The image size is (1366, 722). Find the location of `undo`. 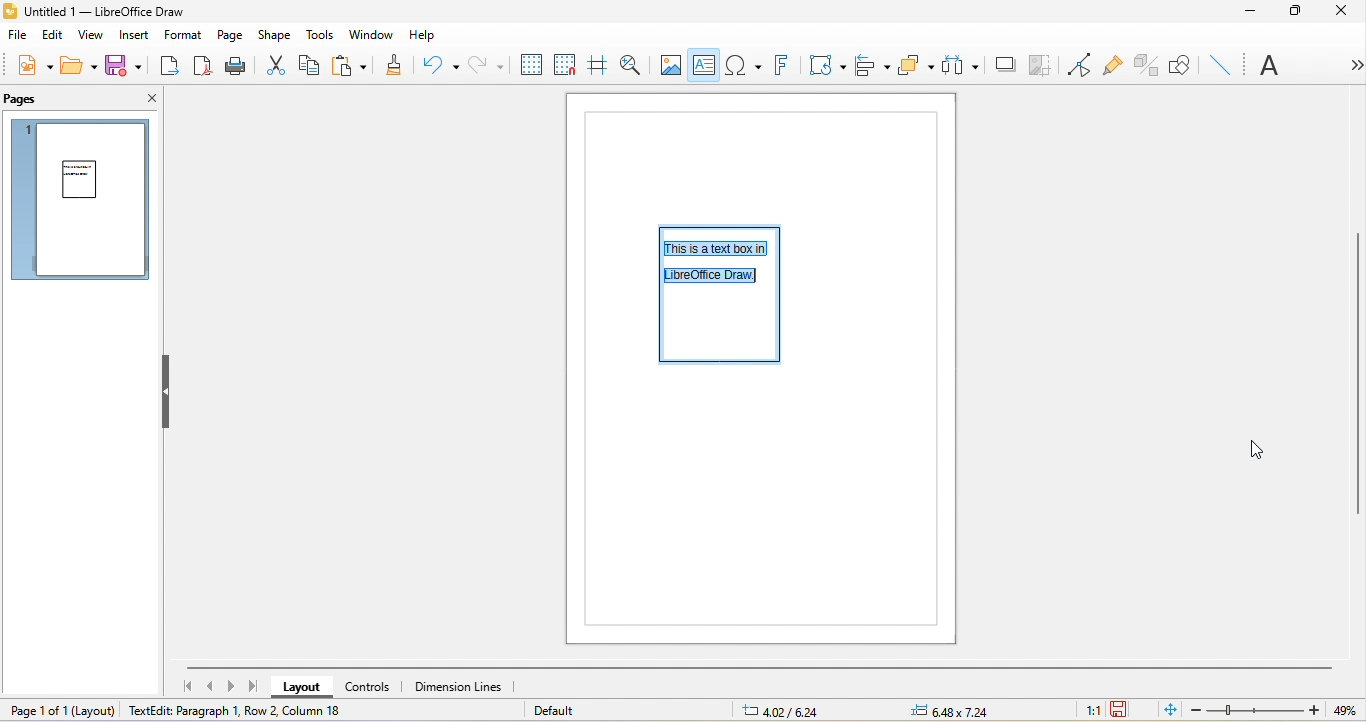

undo is located at coordinates (444, 65).